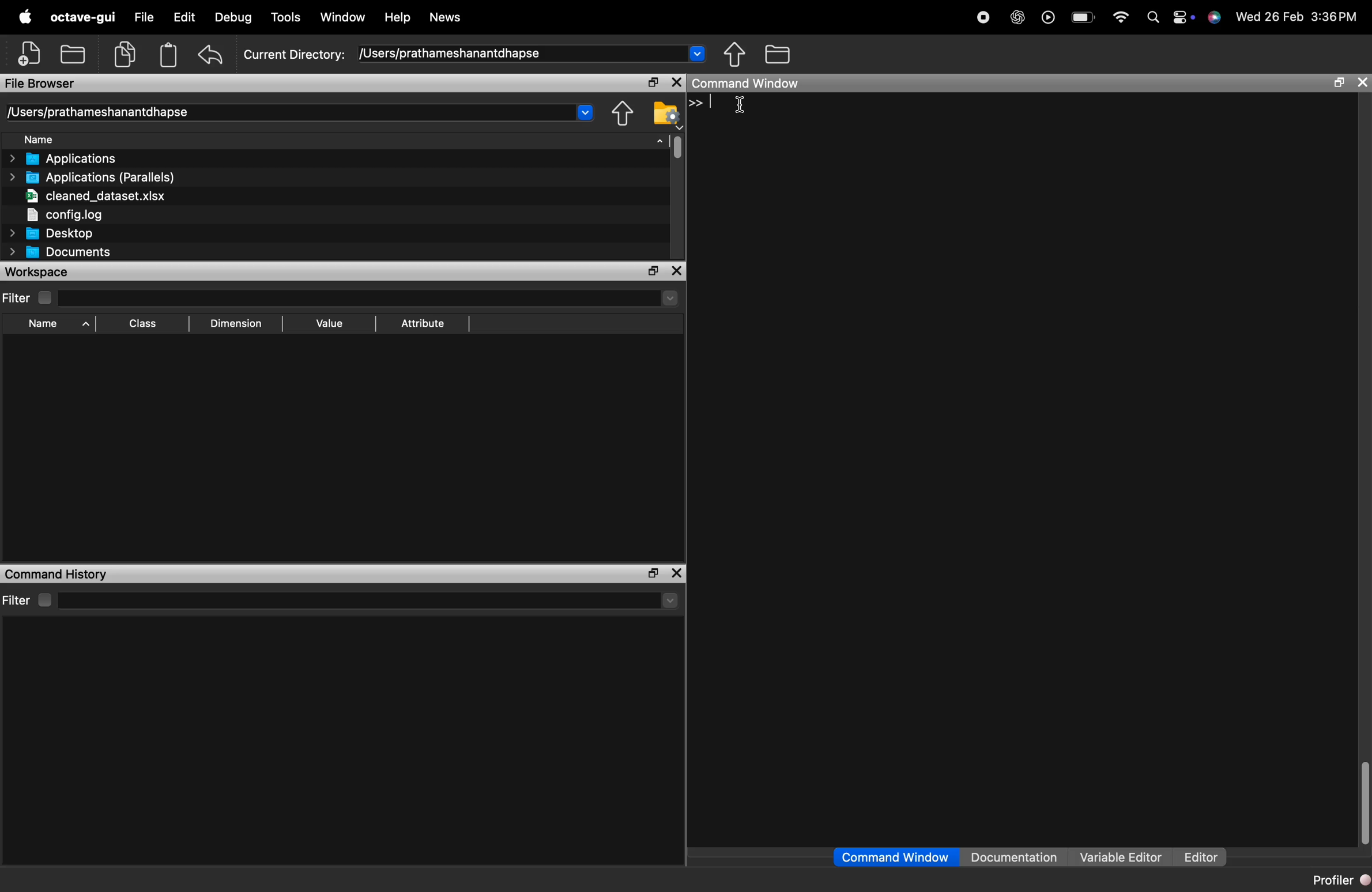 The height and width of the screenshot is (892, 1372). I want to click on search here, so click(370, 599).